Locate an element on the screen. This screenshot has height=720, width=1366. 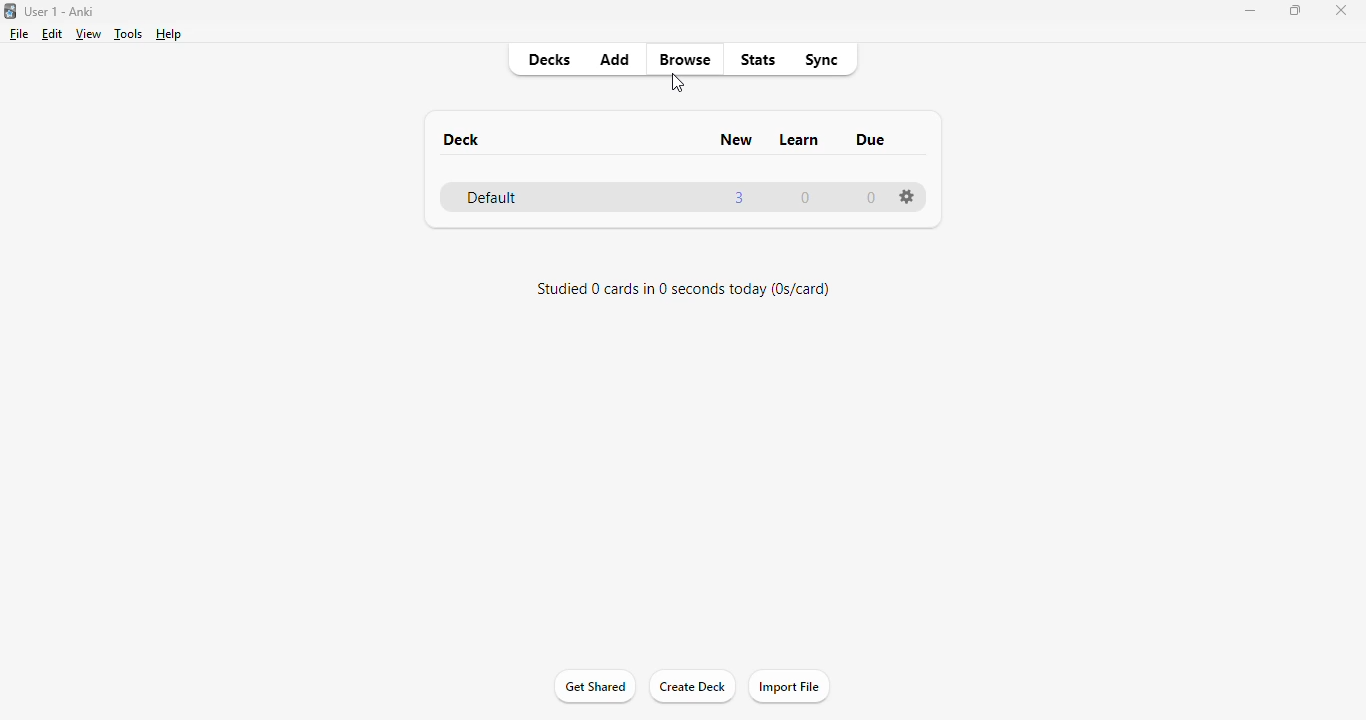
file is located at coordinates (20, 34).